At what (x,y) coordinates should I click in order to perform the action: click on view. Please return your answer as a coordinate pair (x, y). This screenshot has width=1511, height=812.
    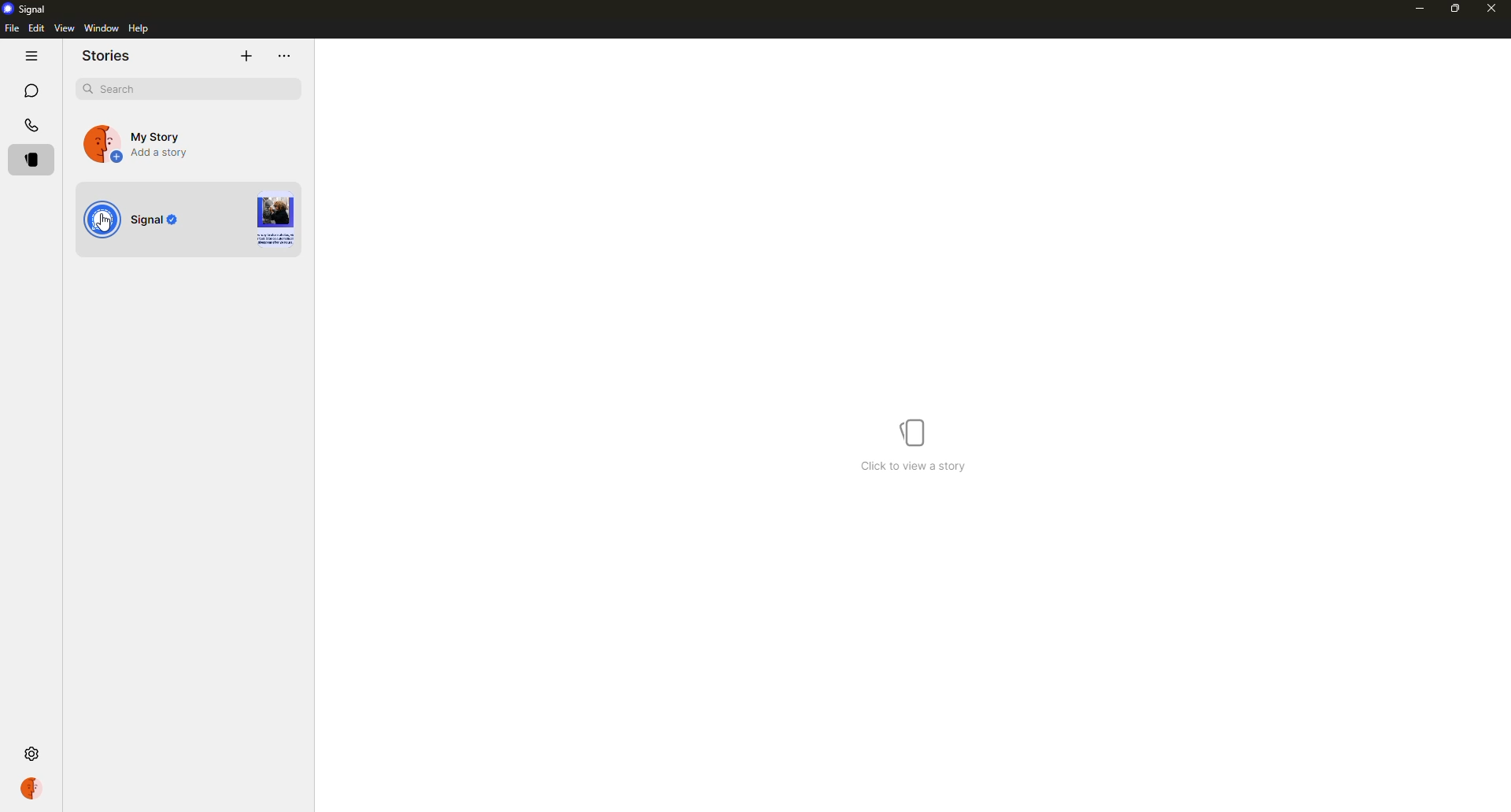
    Looking at the image, I should click on (63, 28).